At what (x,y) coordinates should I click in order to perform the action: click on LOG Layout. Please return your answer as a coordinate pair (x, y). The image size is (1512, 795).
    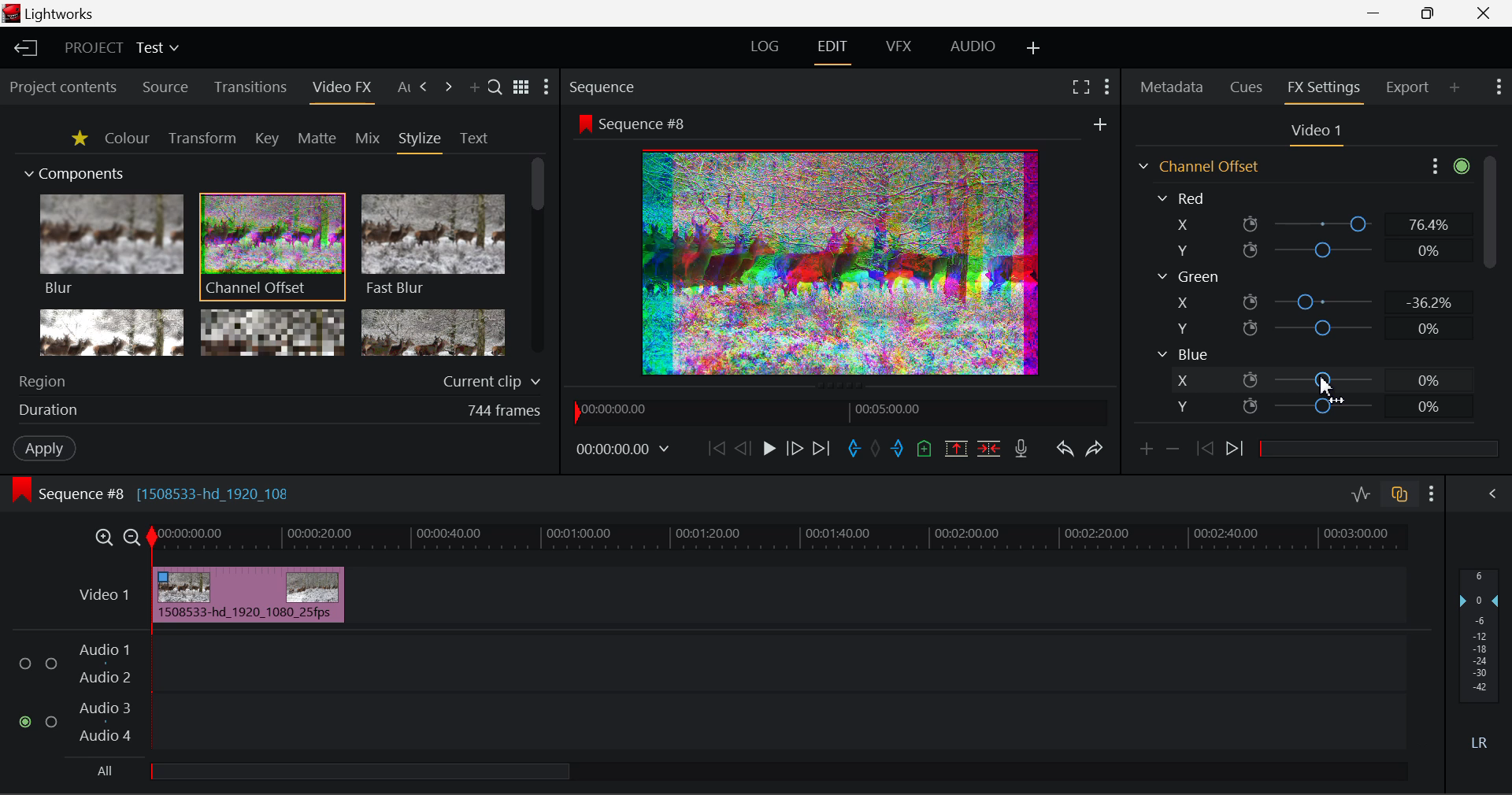
    Looking at the image, I should click on (765, 50).